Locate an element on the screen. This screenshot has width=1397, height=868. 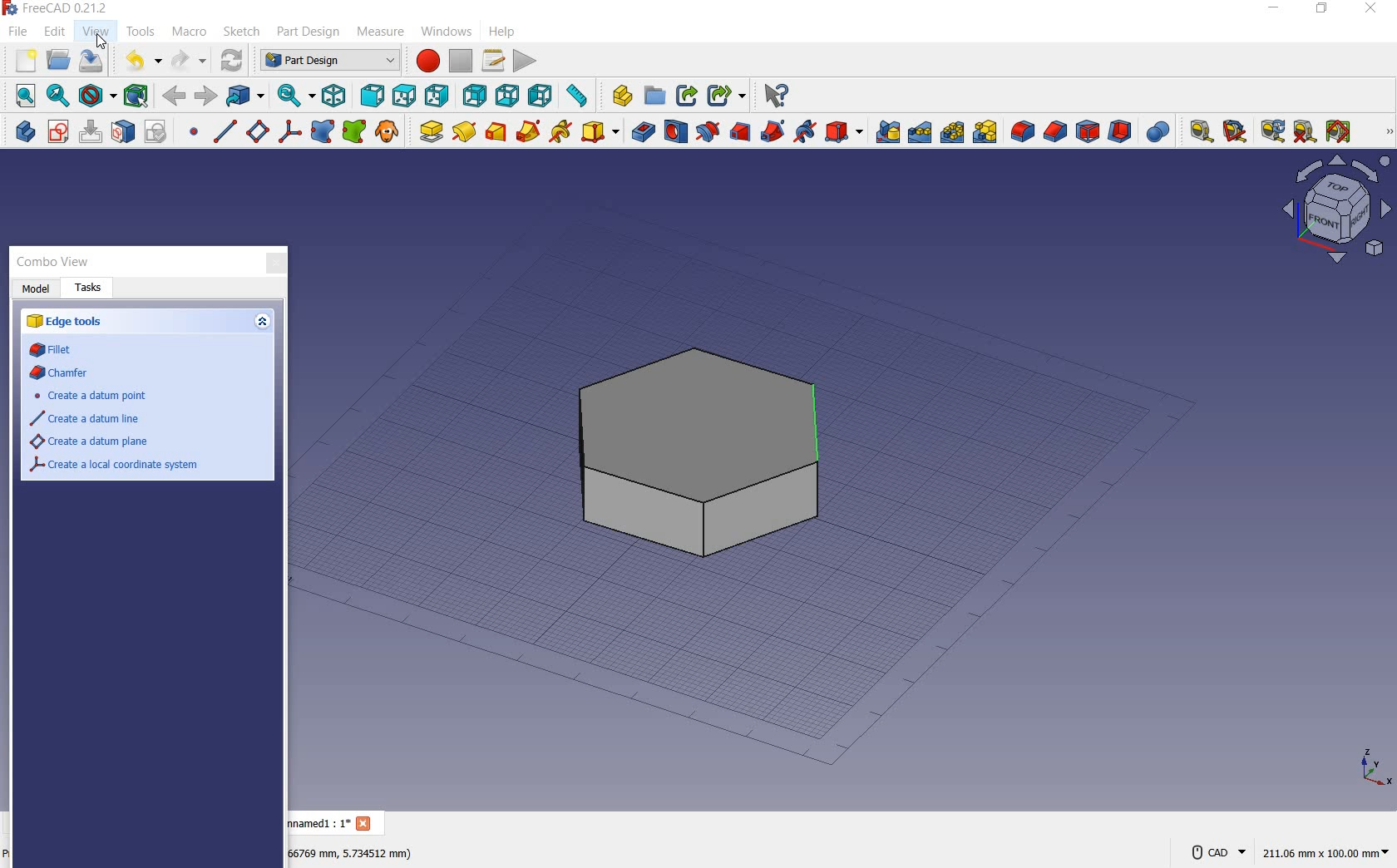
create a shape binder is located at coordinates (323, 133).